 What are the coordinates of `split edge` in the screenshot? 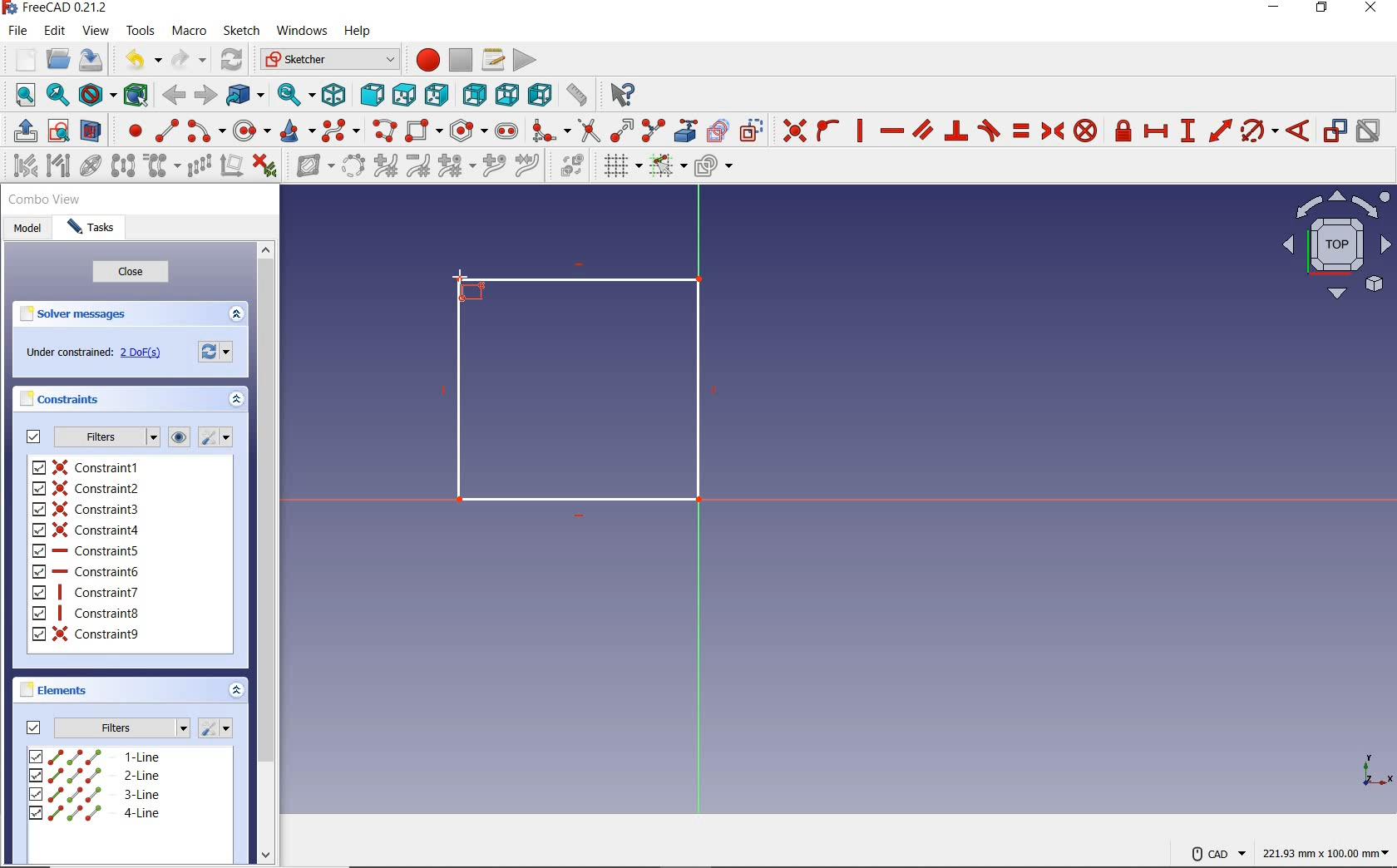 It's located at (653, 131).